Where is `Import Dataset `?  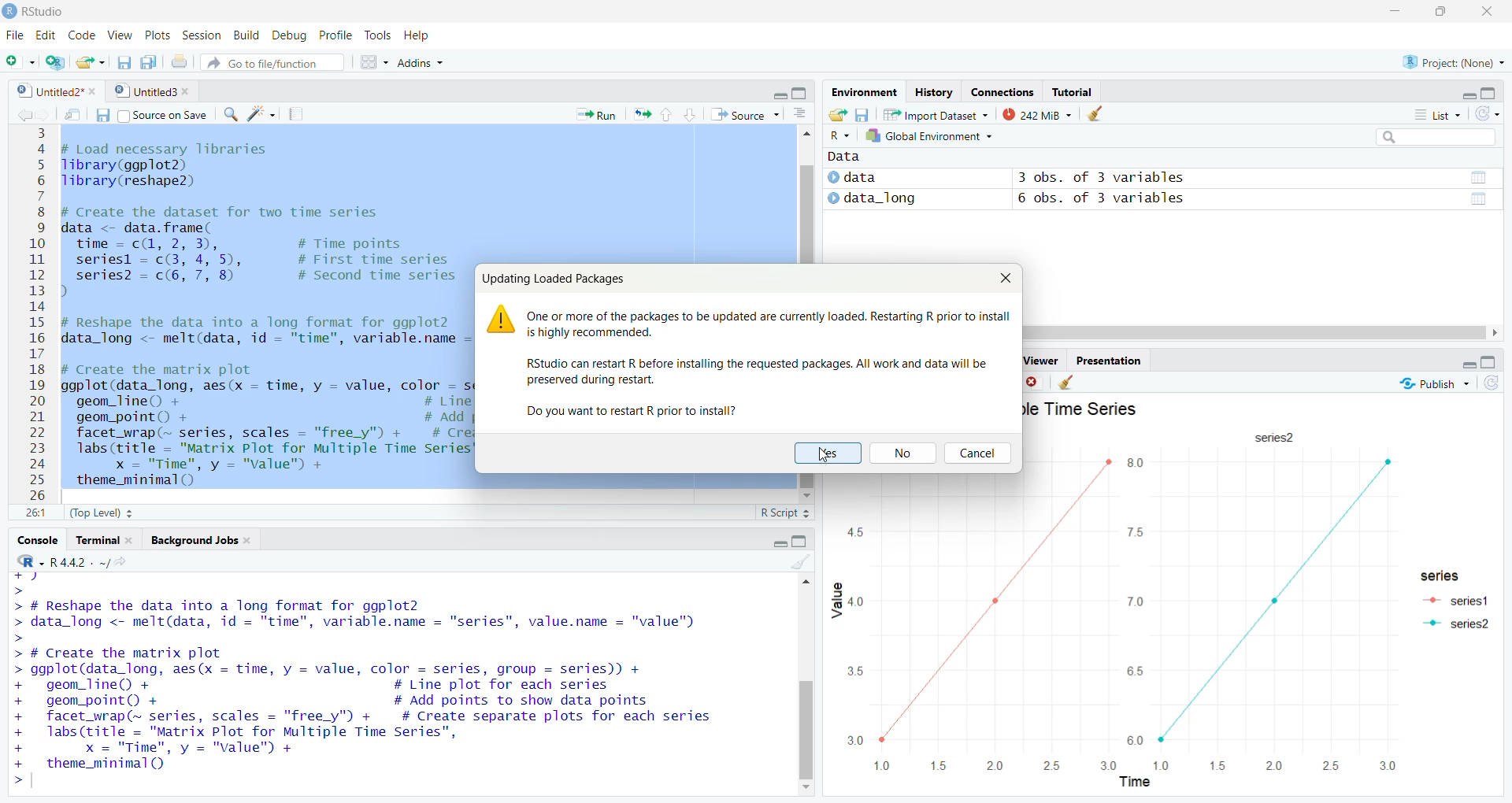
Import Dataset  is located at coordinates (936, 113).